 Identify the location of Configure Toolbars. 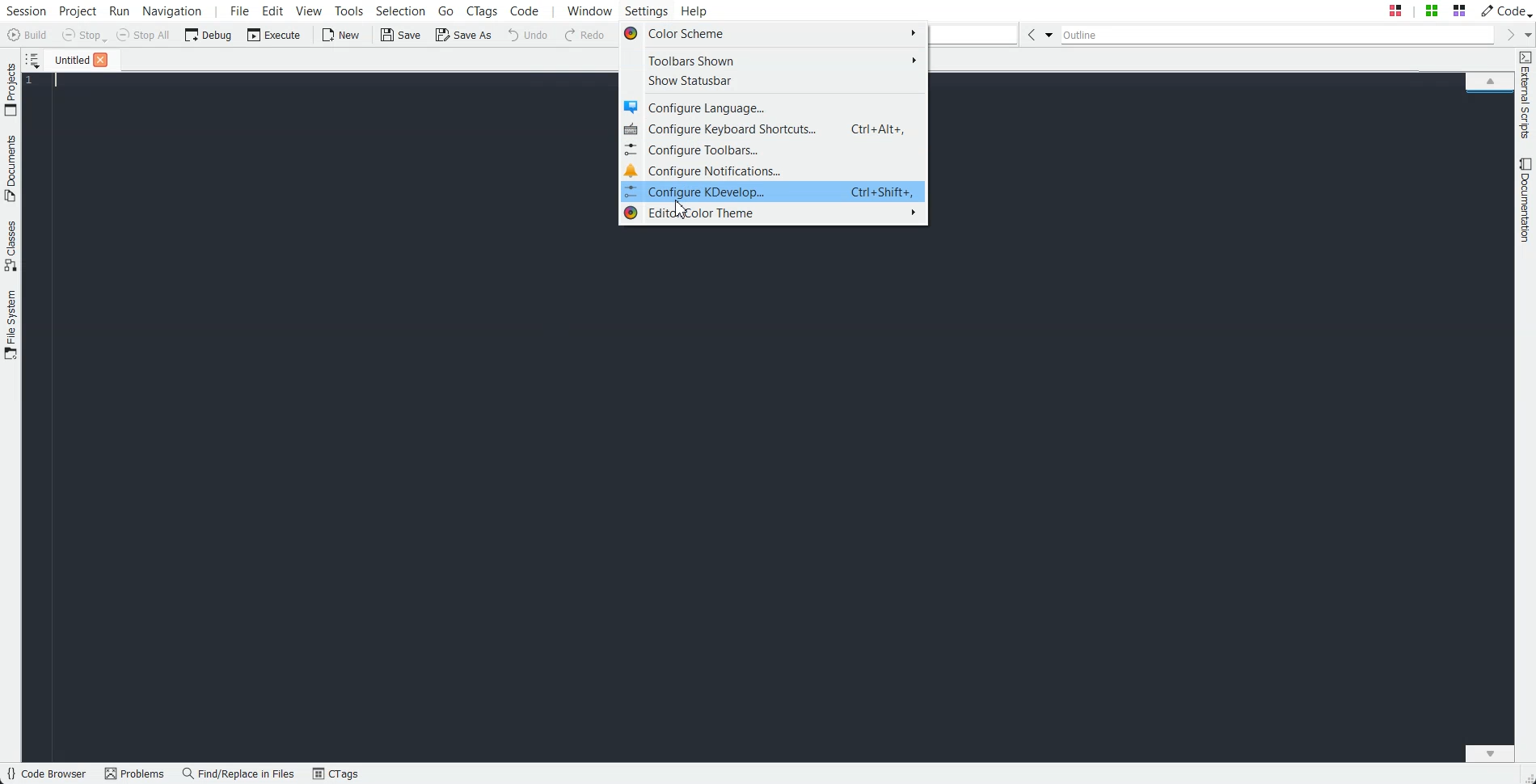
(773, 150).